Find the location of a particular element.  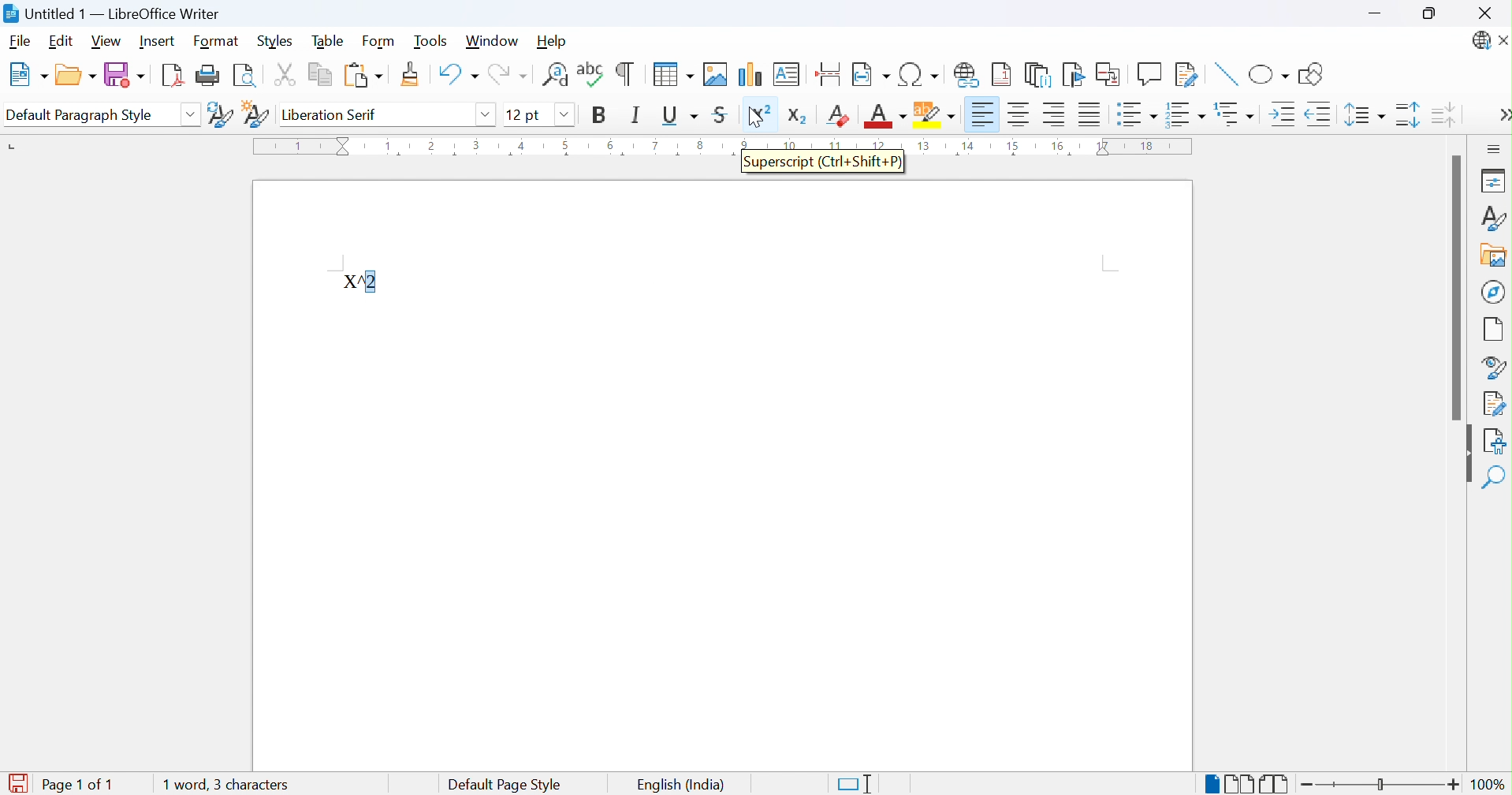

Table is located at coordinates (326, 40).